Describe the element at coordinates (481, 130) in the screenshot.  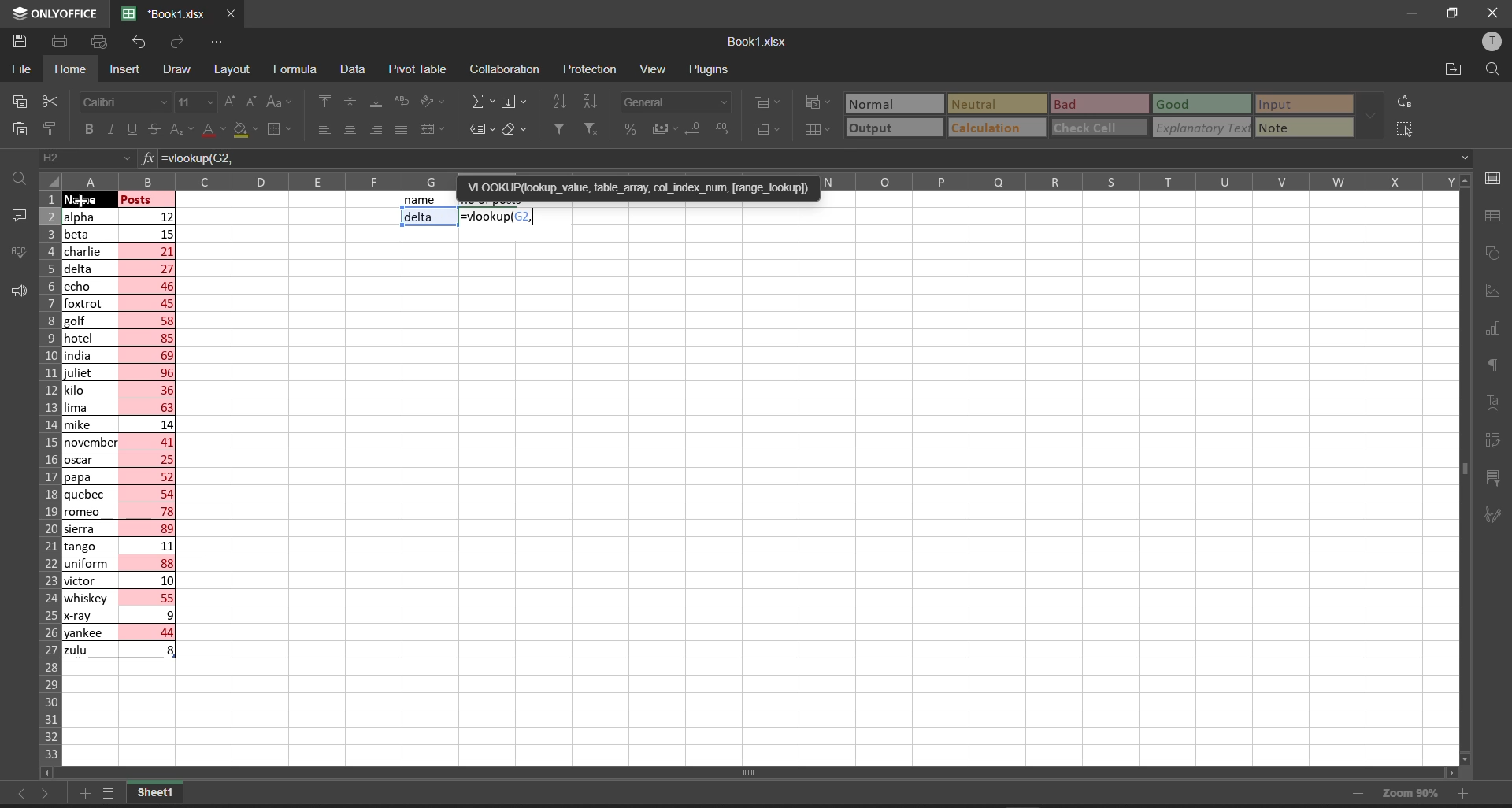
I see `named ranges` at that location.